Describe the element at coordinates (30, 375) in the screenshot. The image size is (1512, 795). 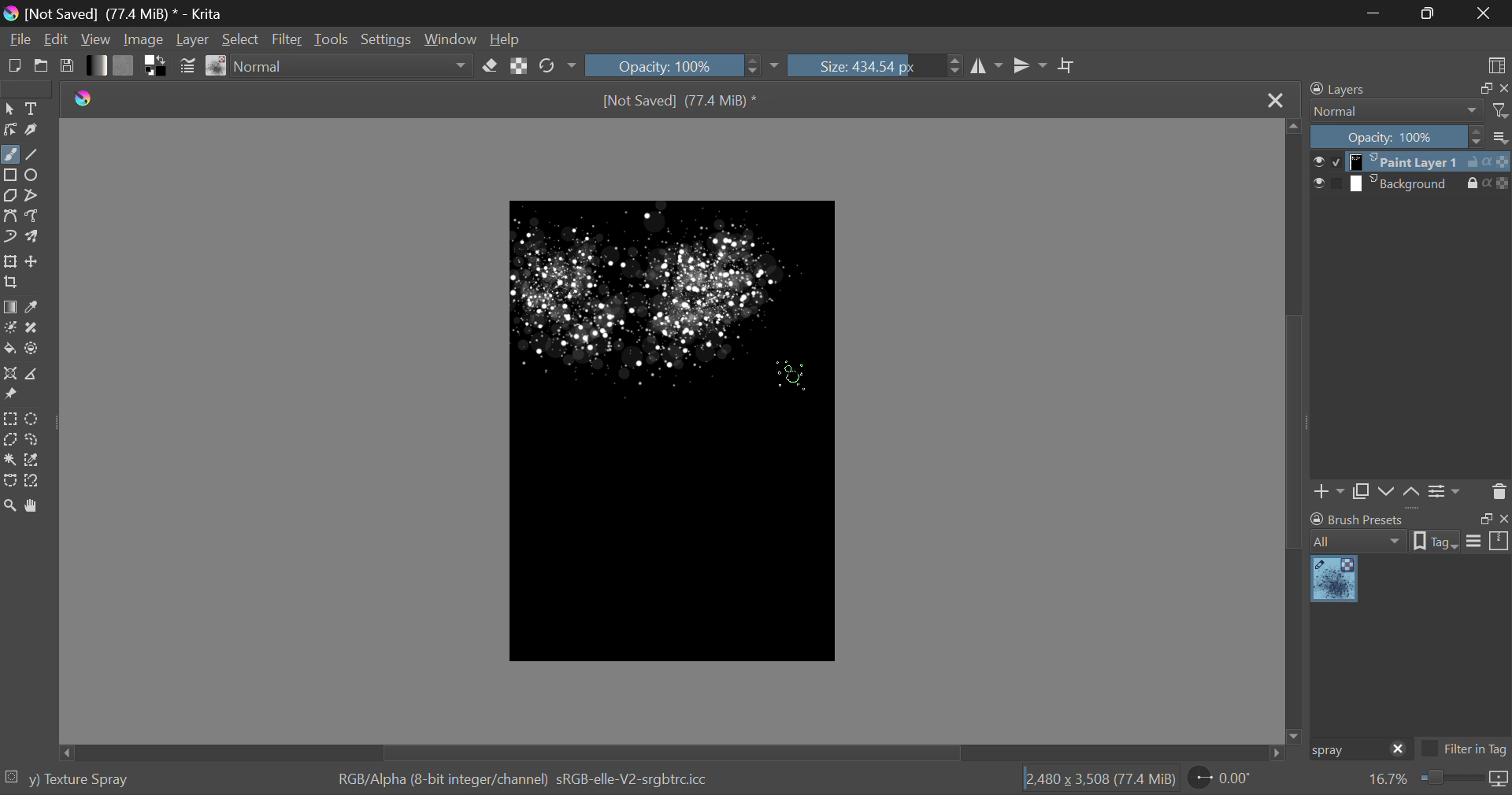
I see `Measurements` at that location.